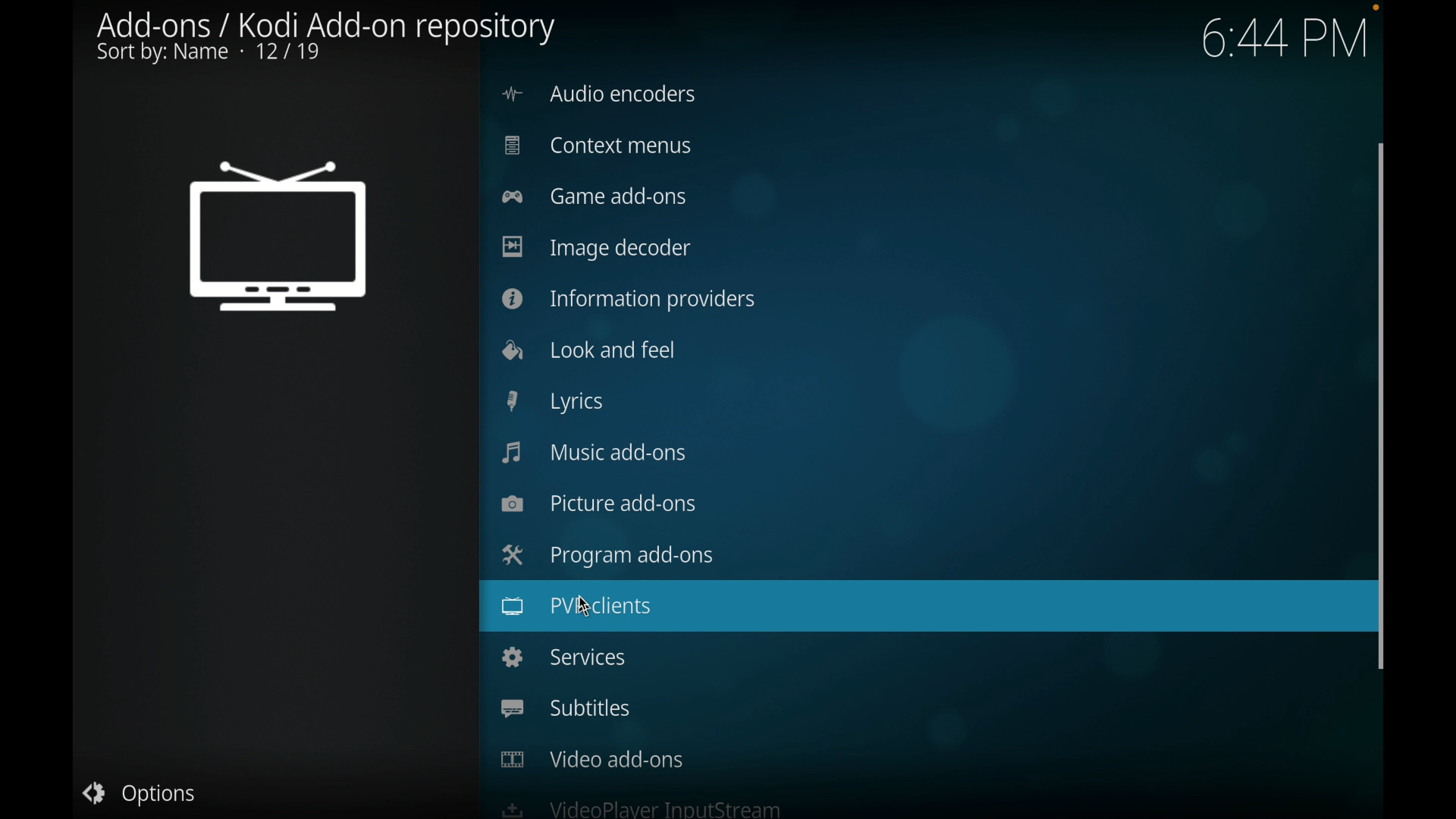 The height and width of the screenshot is (819, 1456). Describe the element at coordinates (641, 808) in the screenshot. I see `obscure text` at that location.